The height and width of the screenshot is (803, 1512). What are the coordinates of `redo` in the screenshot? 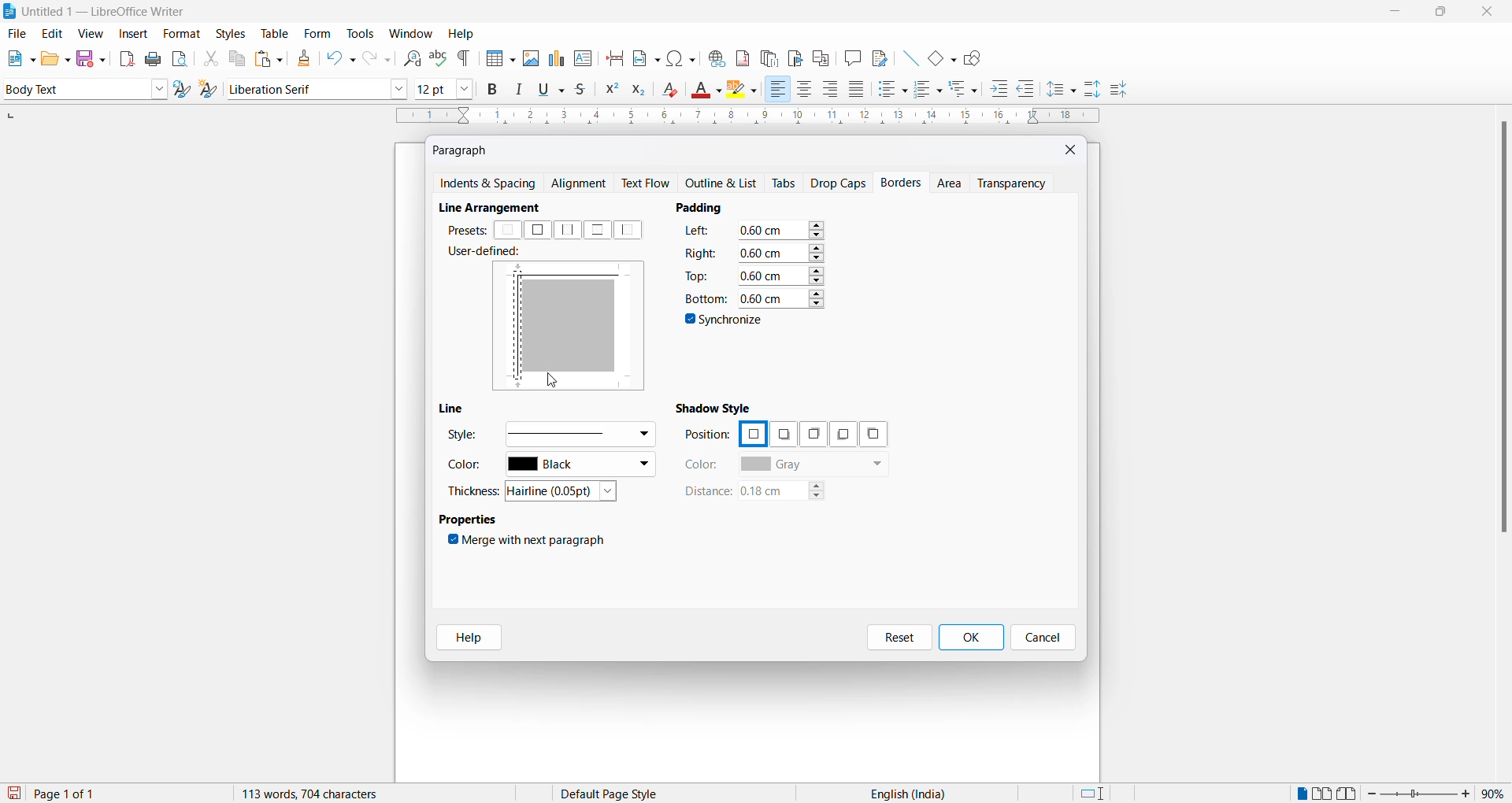 It's located at (376, 58).